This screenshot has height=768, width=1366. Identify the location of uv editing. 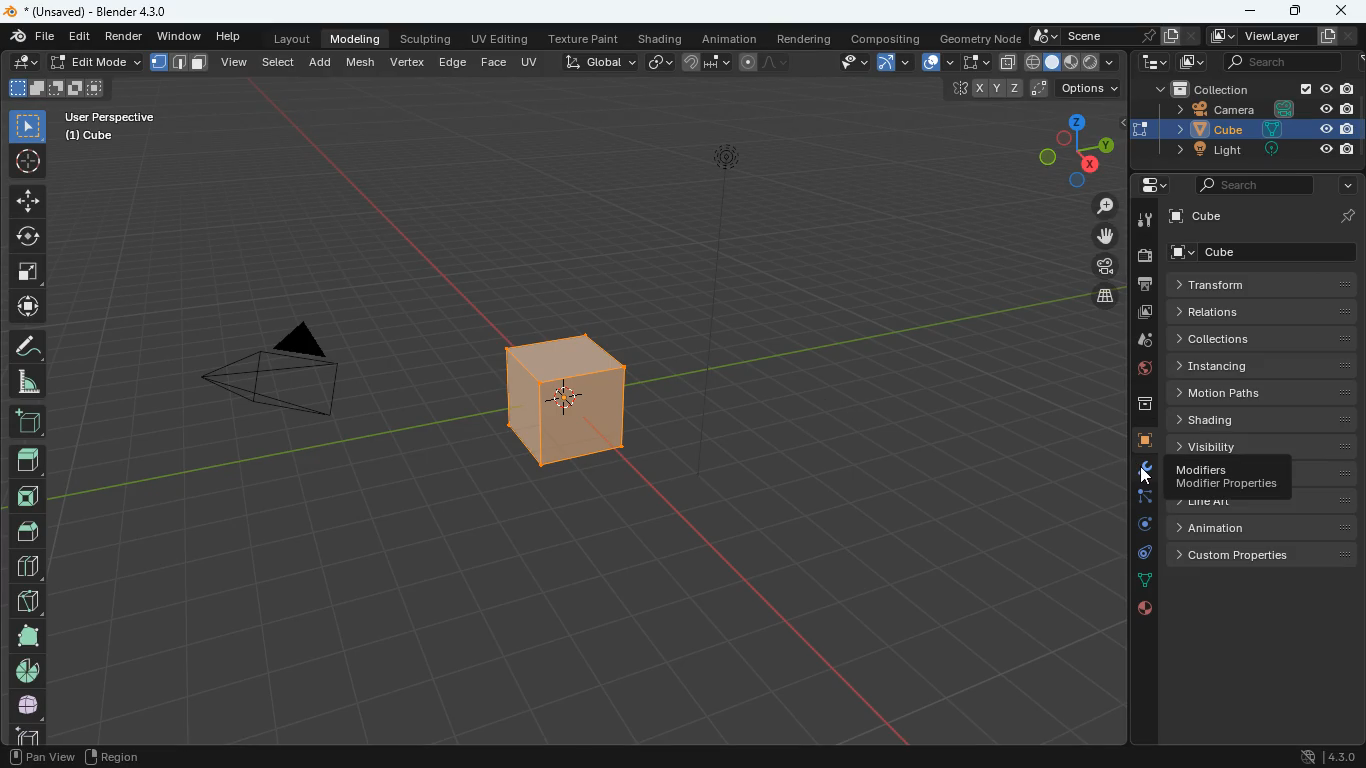
(500, 38).